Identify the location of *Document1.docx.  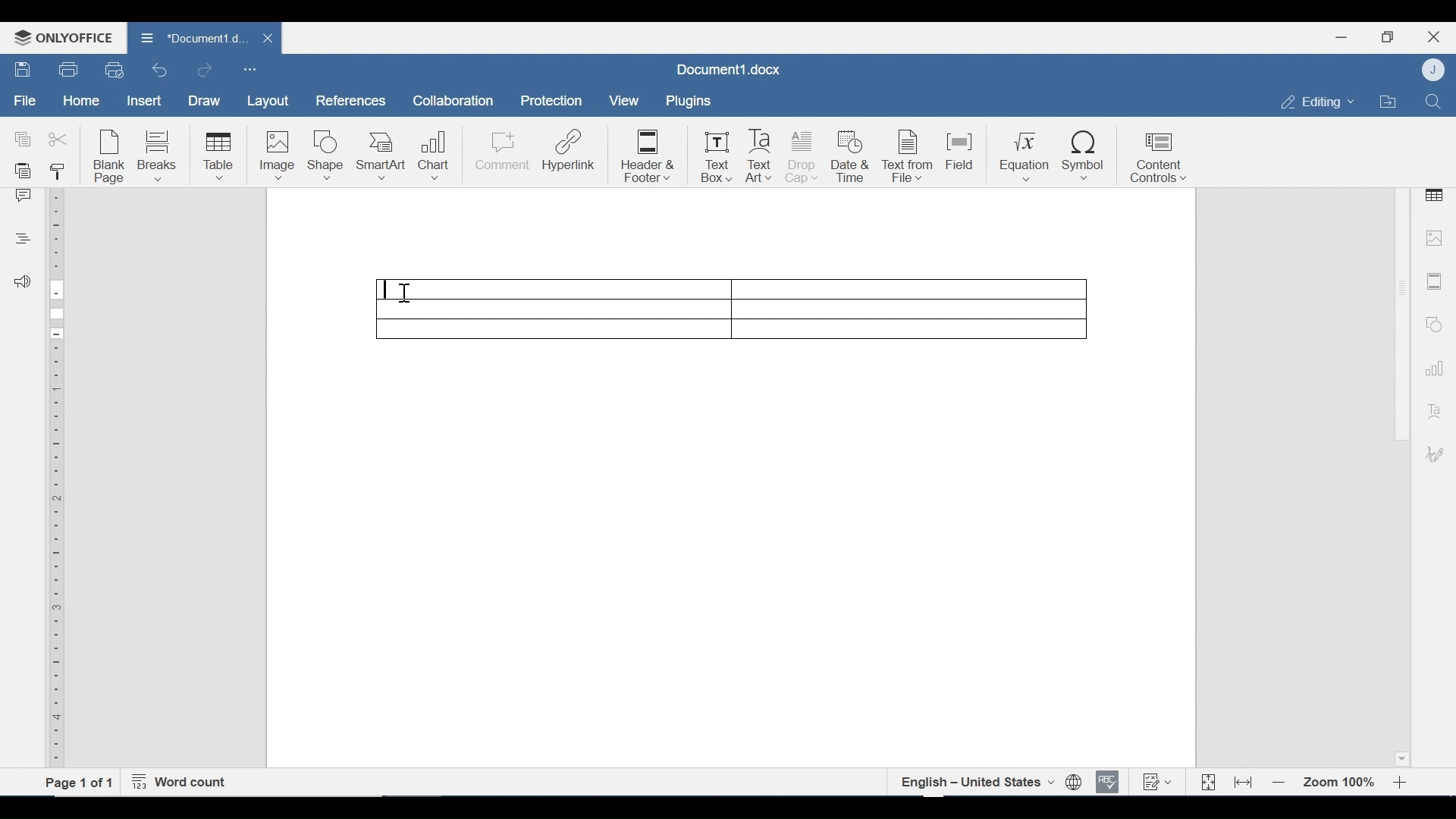
(193, 36).